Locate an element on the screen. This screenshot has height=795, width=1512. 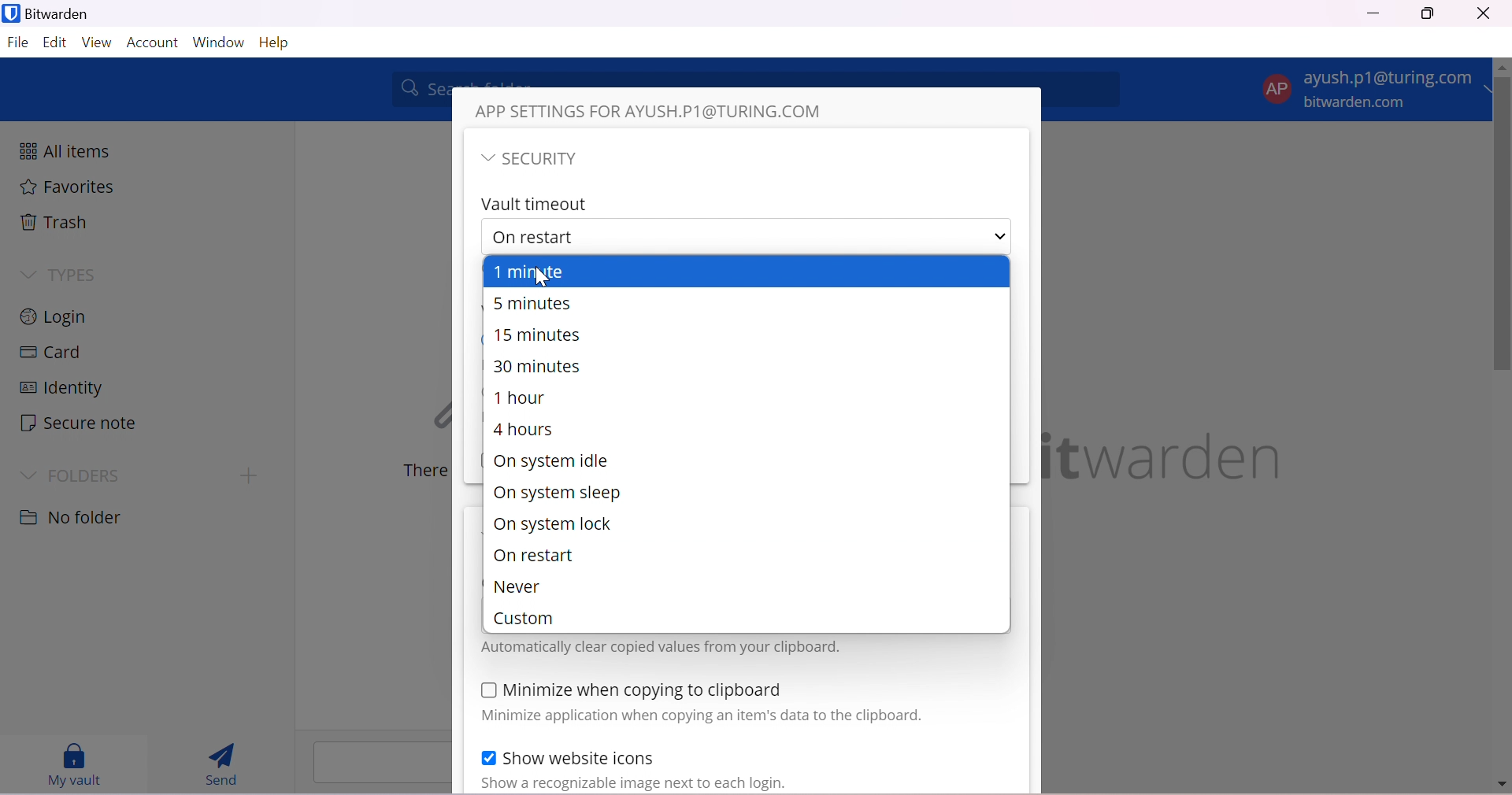
All items is located at coordinates (65, 149).